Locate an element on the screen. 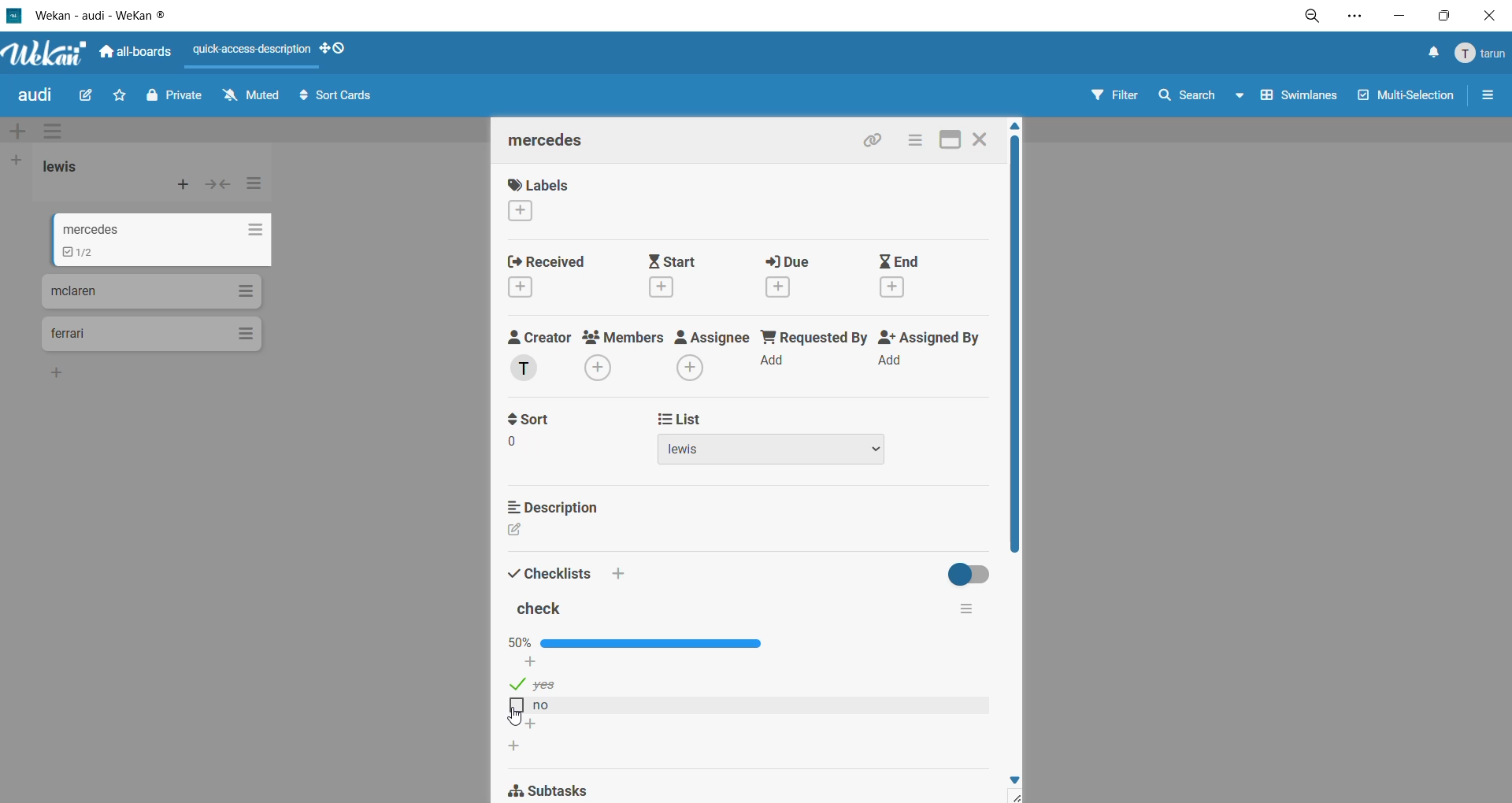  due is located at coordinates (796, 274).